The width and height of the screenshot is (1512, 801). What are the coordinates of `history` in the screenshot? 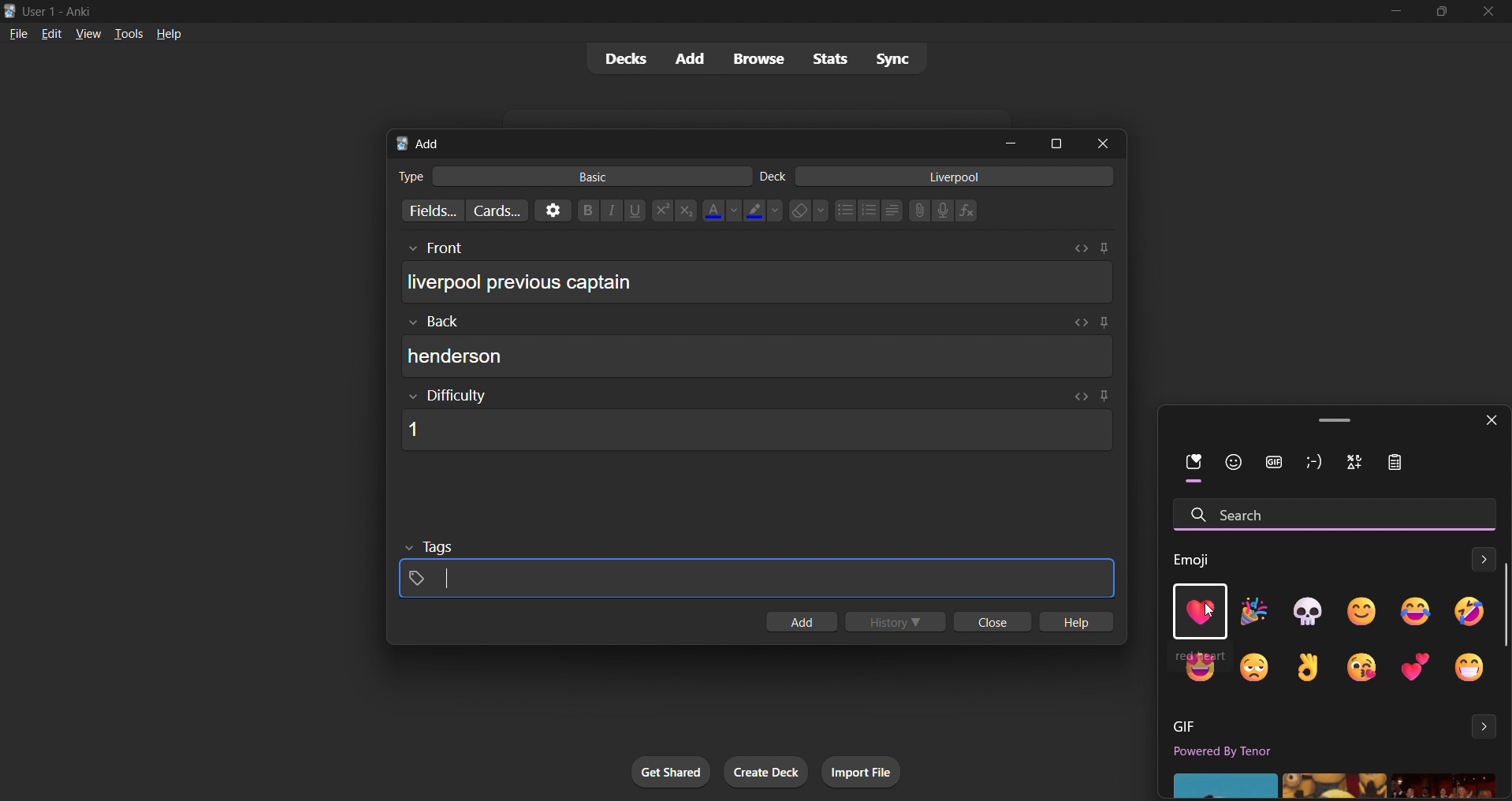 It's located at (898, 623).